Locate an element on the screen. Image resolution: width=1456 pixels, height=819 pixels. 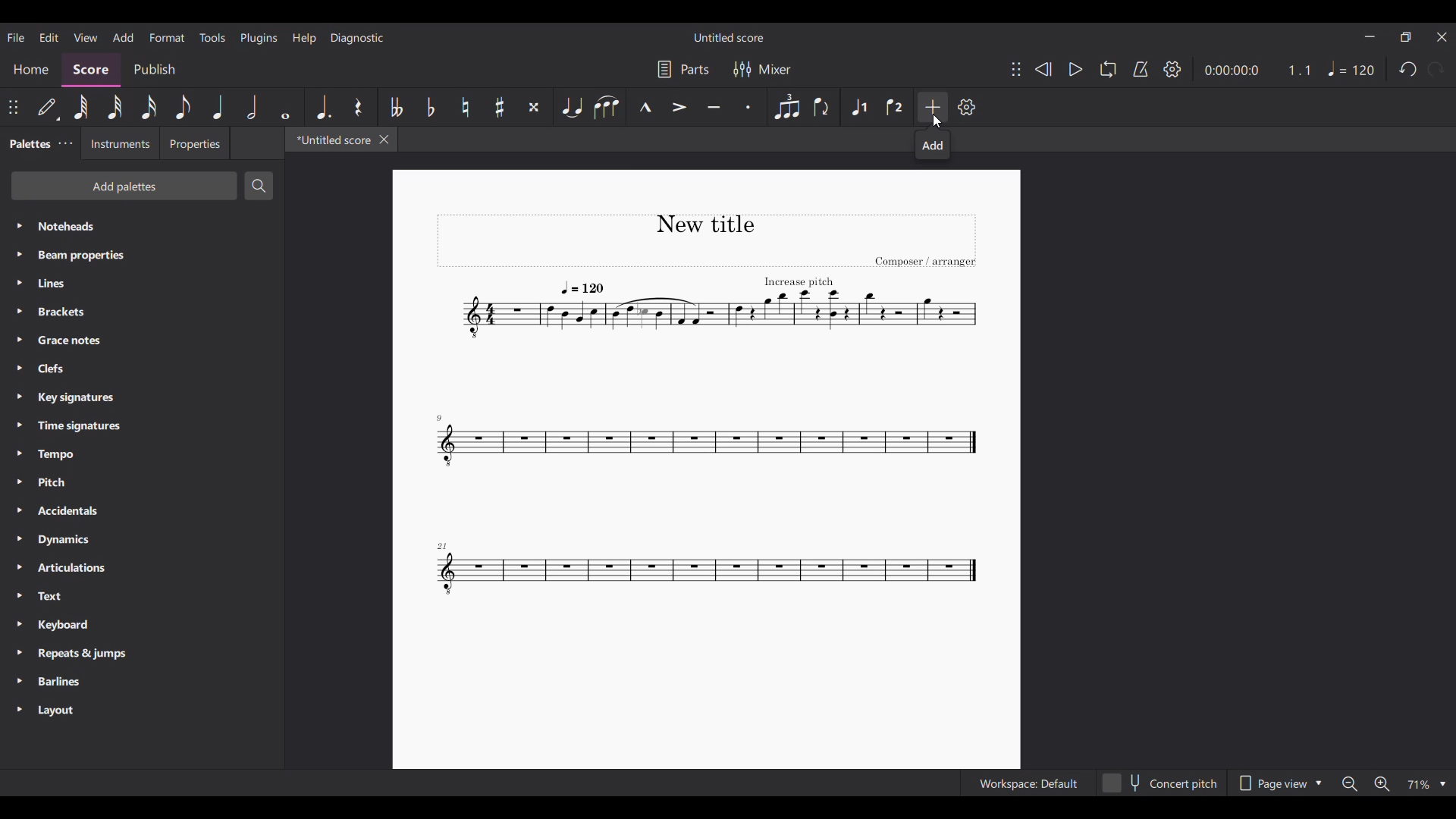
Add menu is located at coordinates (124, 38).